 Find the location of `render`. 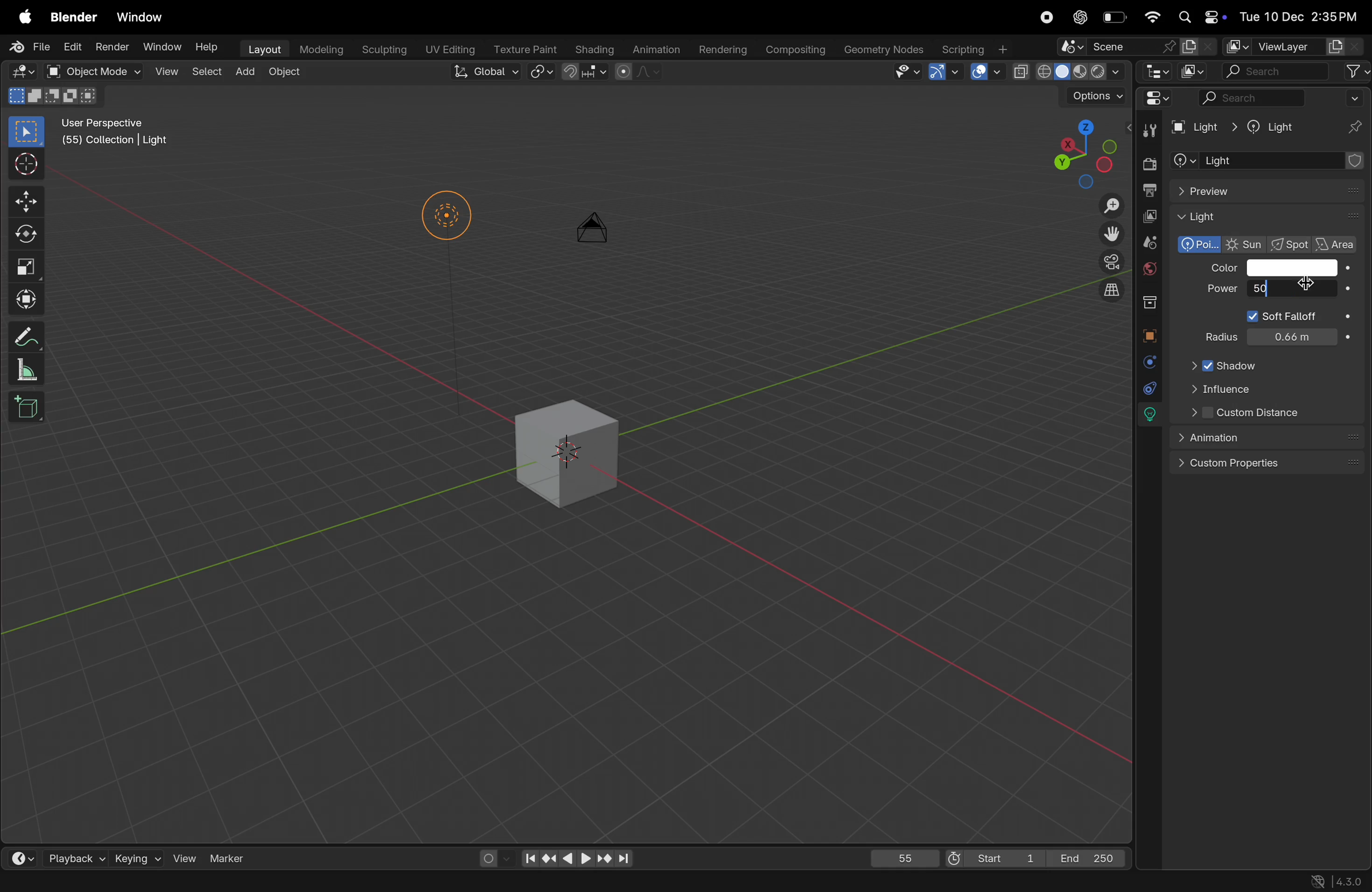

render is located at coordinates (1148, 161).